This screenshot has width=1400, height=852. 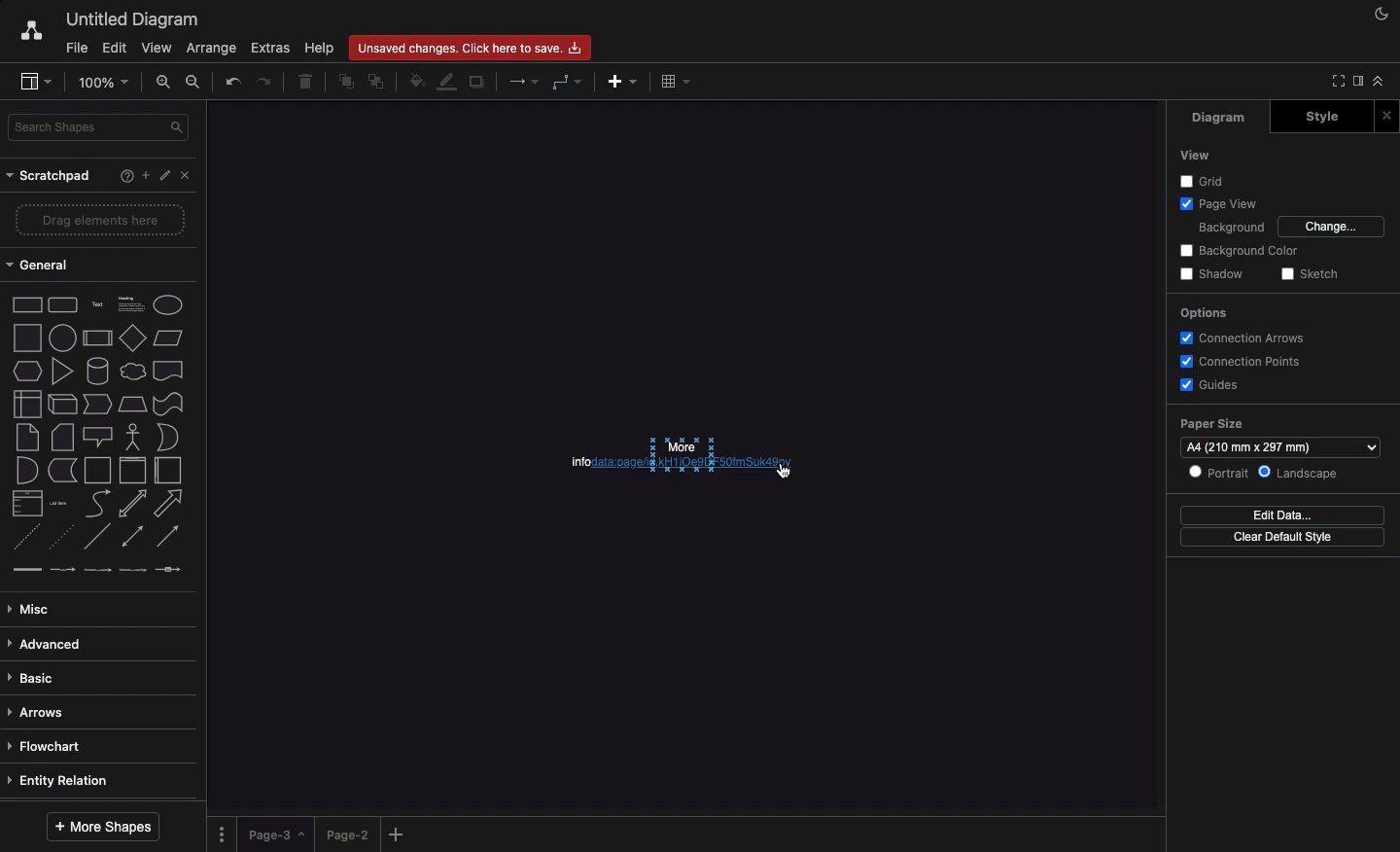 What do you see at coordinates (102, 219) in the screenshot?
I see `Drag elements here` at bounding box center [102, 219].